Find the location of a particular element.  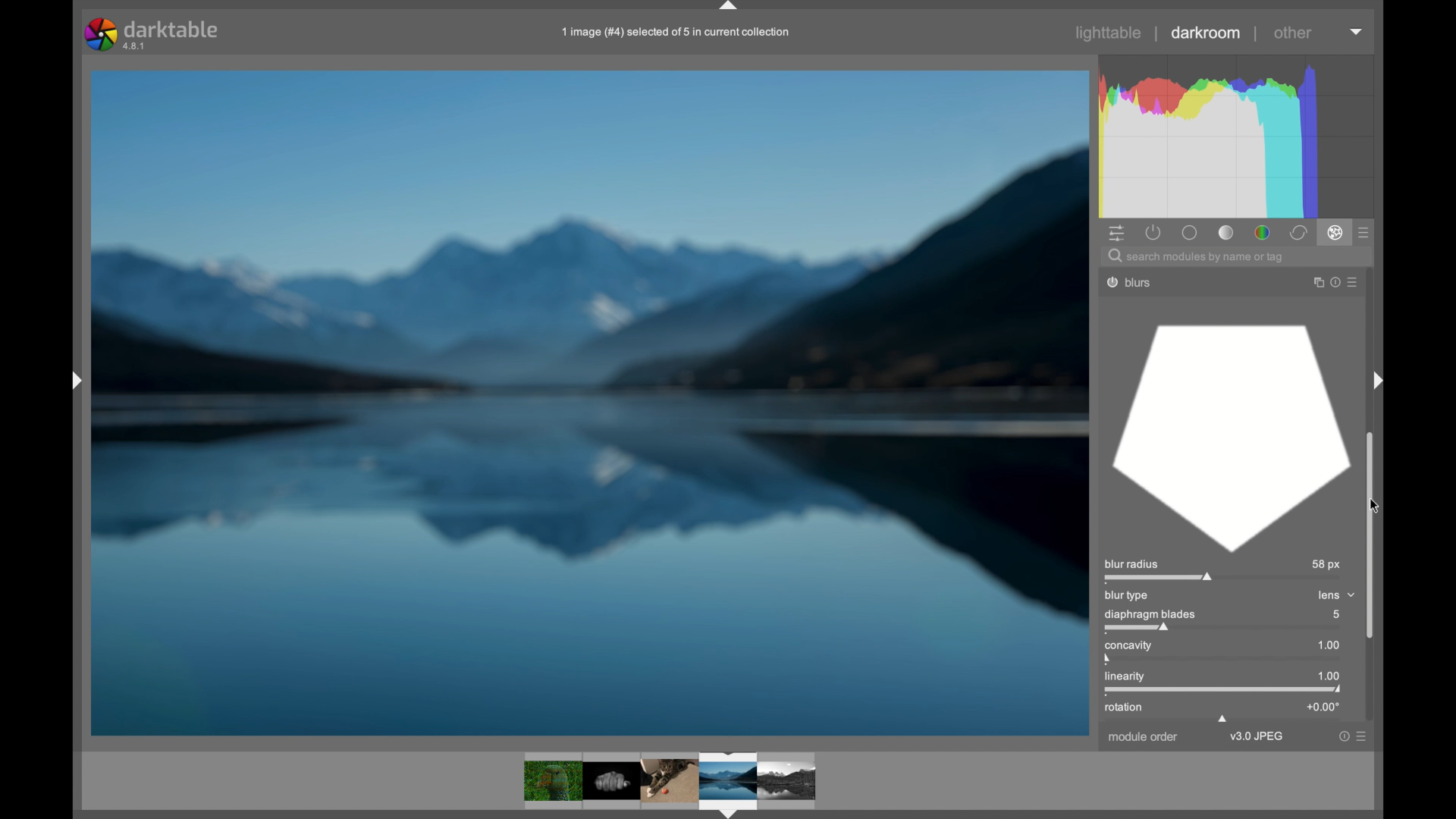

concavity is located at coordinates (1128, 645).